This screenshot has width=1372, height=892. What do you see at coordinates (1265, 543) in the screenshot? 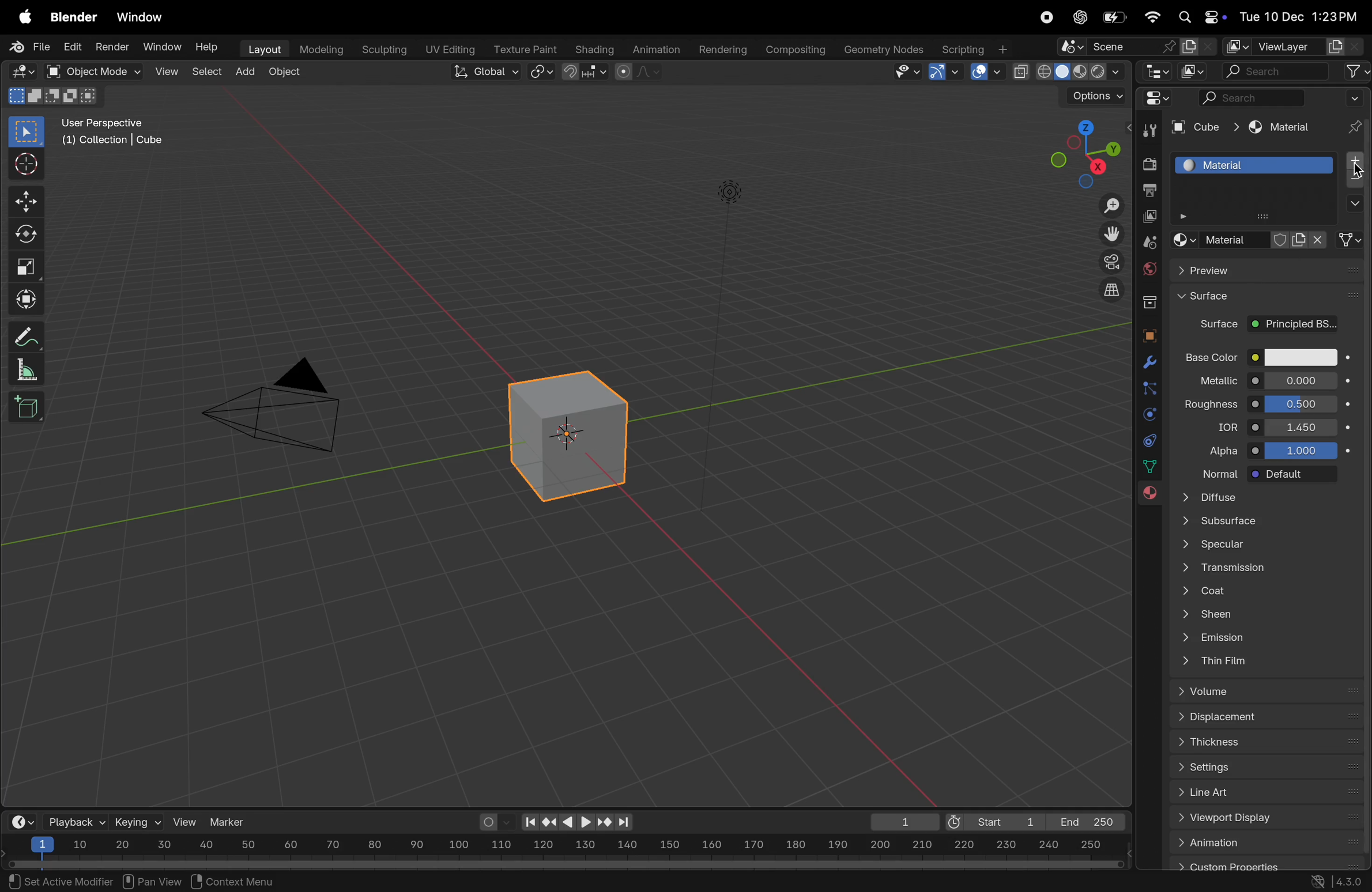
I see `specular` at bounding box center [1265, 543].